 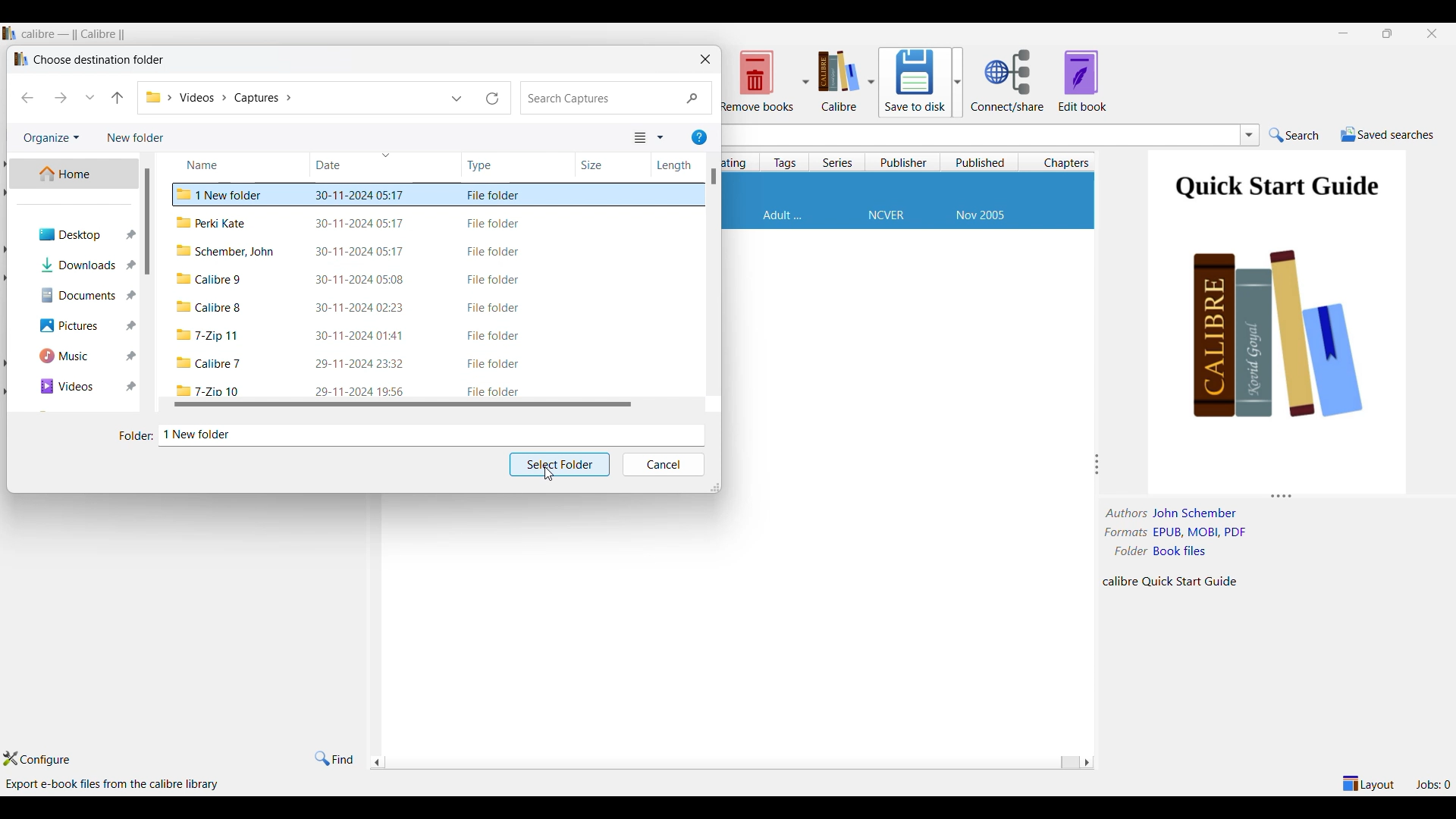 What do you see at coordinates (136, 436) in the screenshot?
I see `Indicates folder` at bounding box center [136, 436].